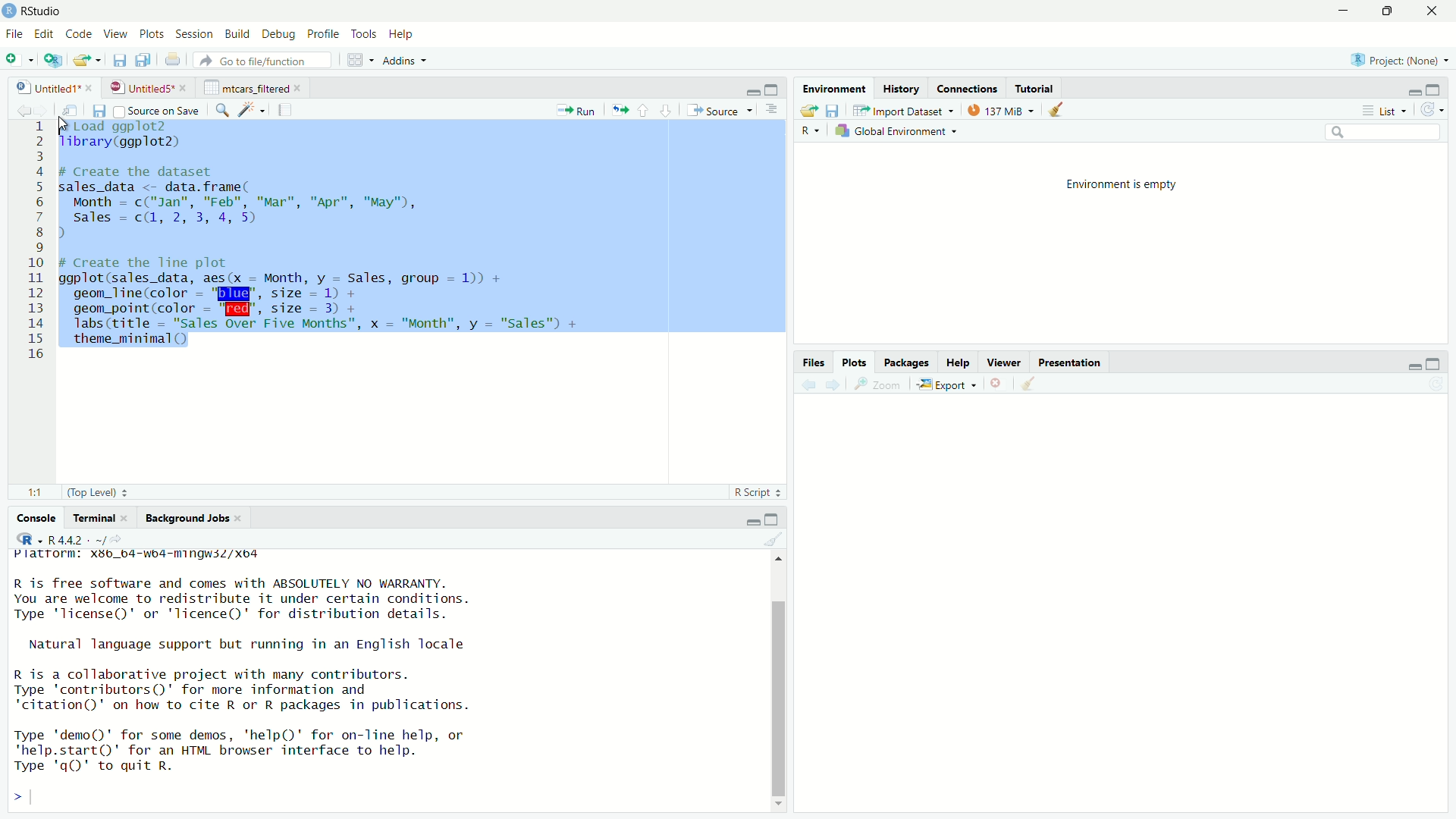  I want to click on clear all plots, so click(1056, 109).